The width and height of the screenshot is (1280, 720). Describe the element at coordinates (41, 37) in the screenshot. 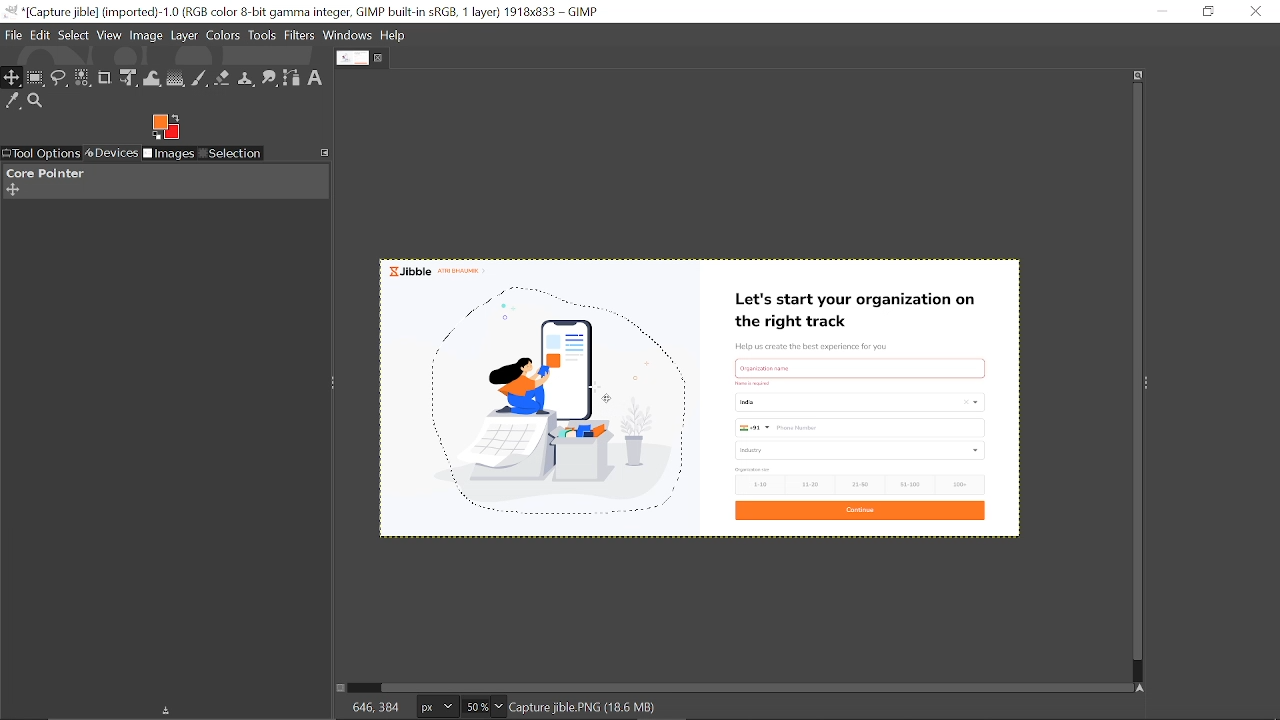

I see `Edit` at that location.